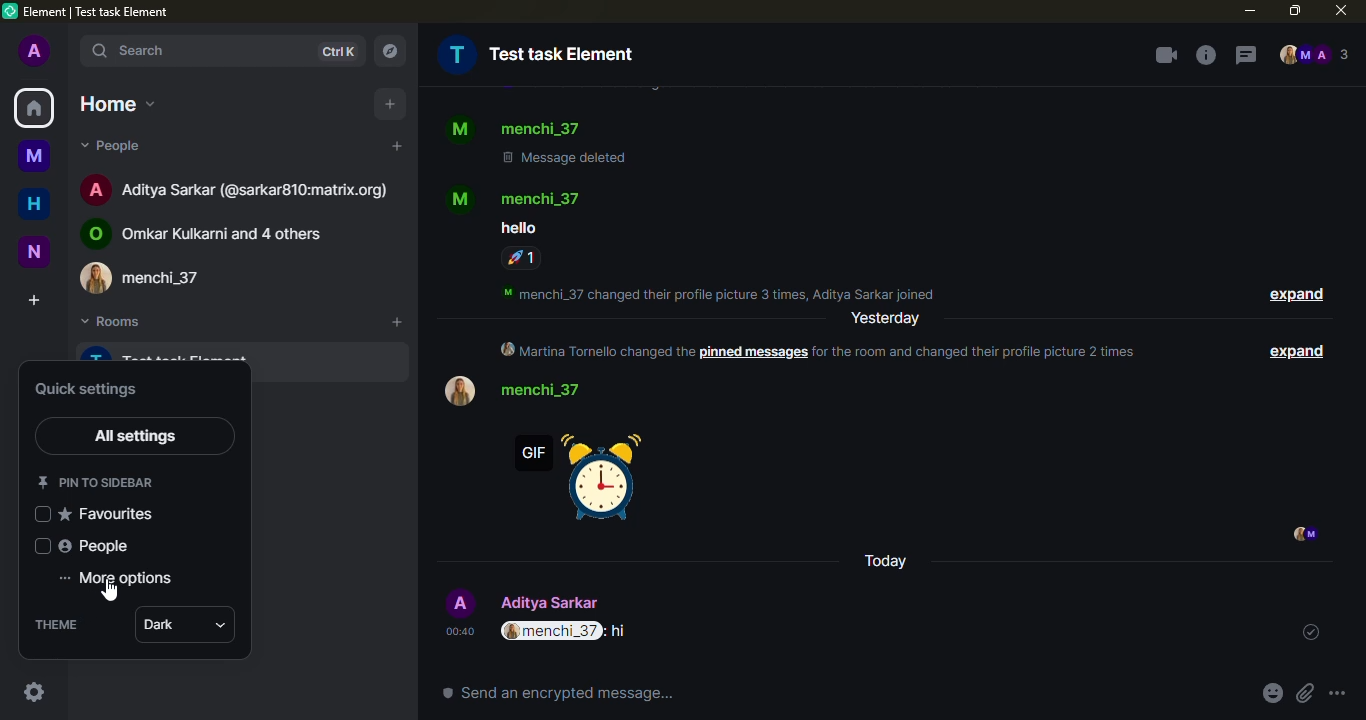 The image size is (1366, 720). Describe the element at coordinates (34, 108) in the screenshot. I see `home` at that location.